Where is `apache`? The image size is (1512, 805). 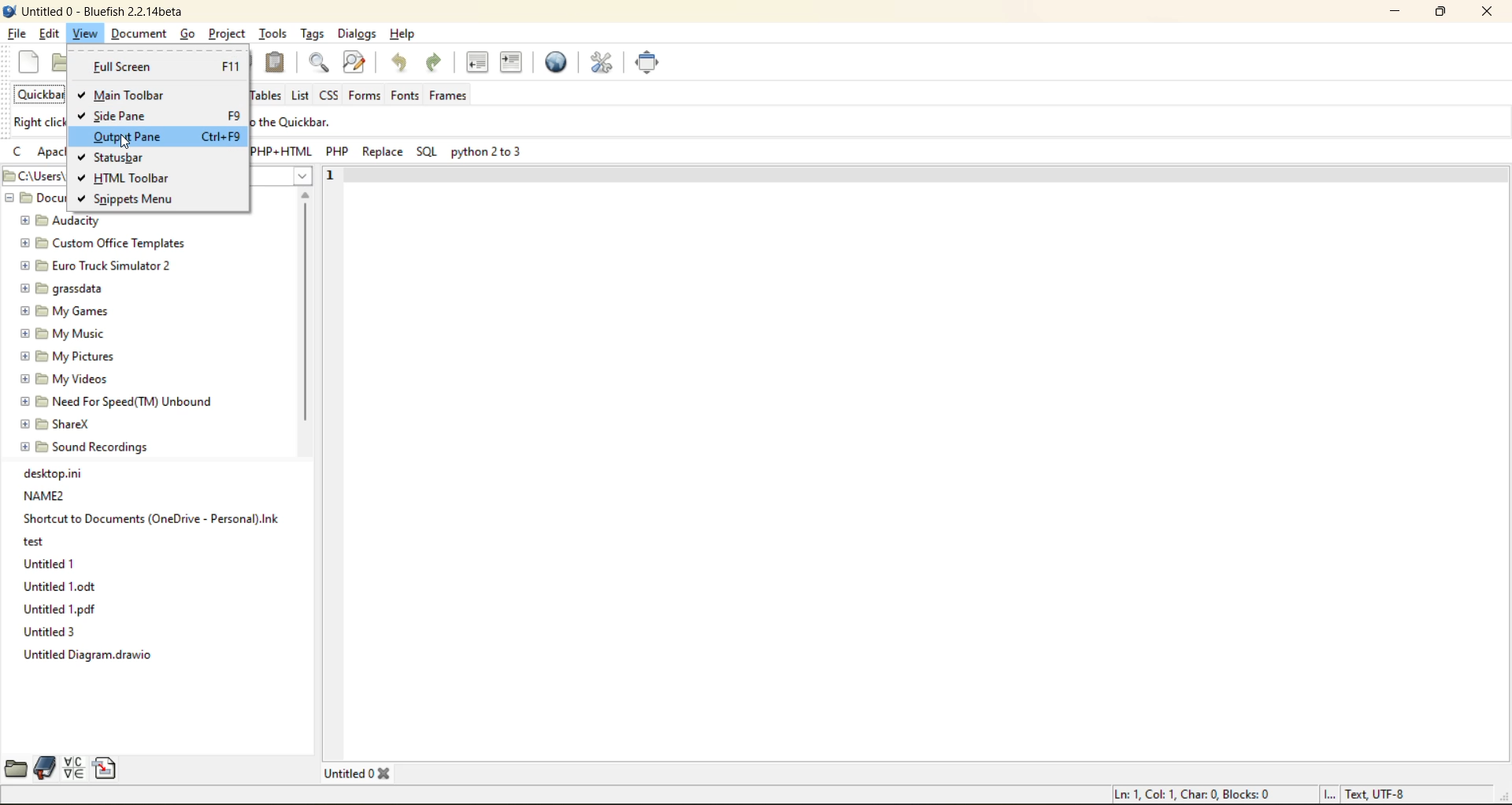
apache is located at coordinates (52, 154).